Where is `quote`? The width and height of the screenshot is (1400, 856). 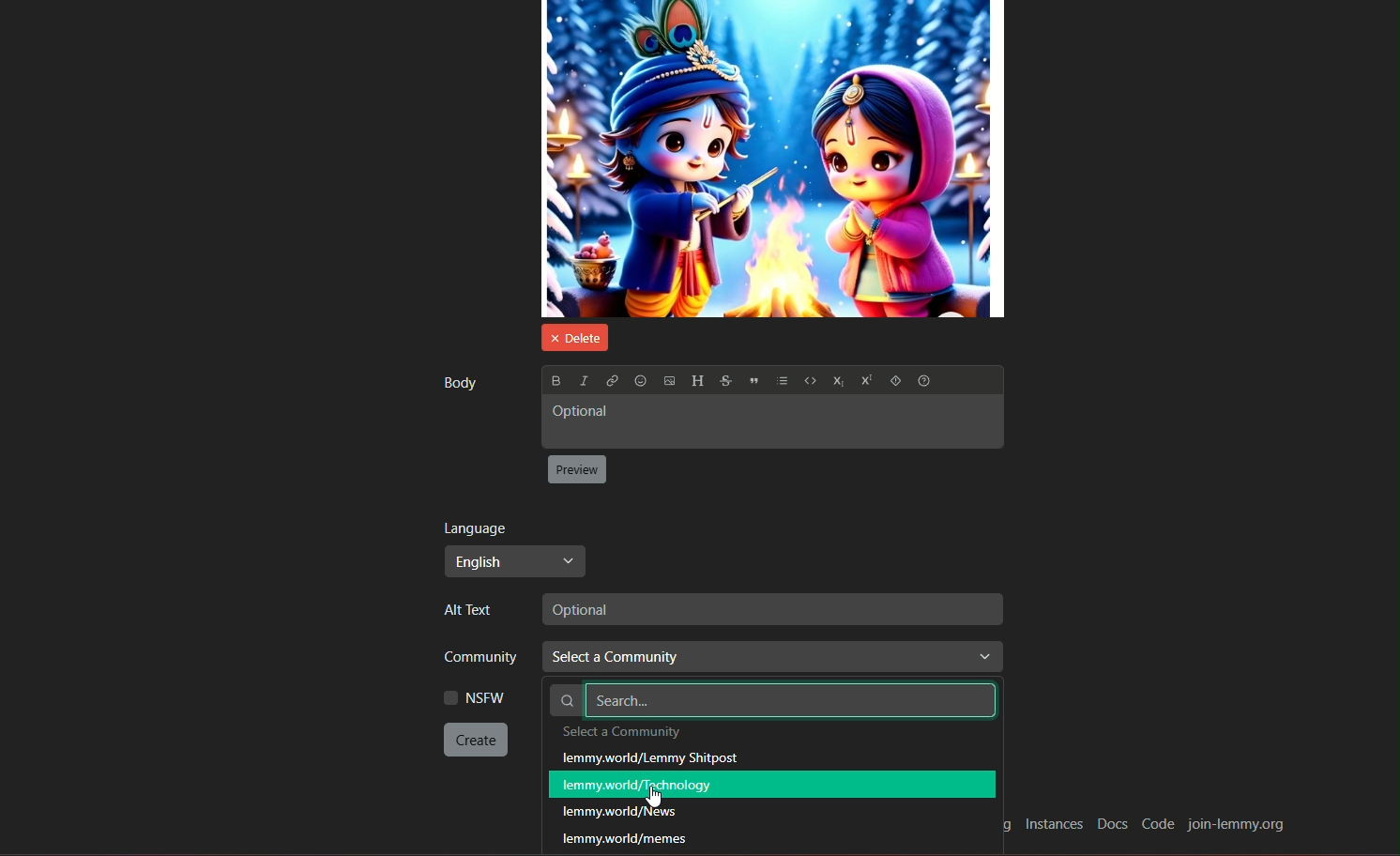
quote is located at coordinates (754, 383).